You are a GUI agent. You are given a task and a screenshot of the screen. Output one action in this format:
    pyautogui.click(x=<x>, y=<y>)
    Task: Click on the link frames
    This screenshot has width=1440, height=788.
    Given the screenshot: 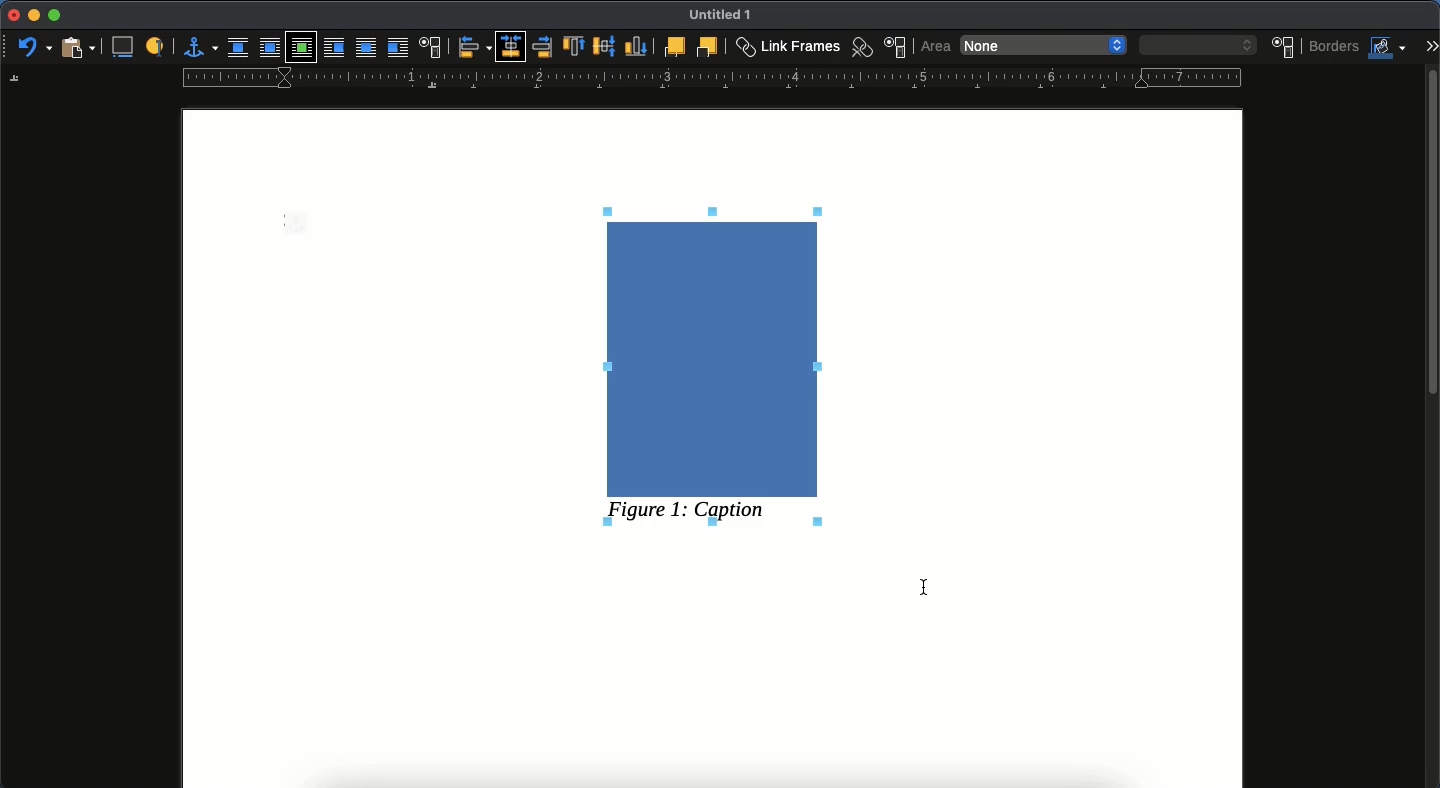 What is the action you would take?
    pyautogui.click(x=787, y=47)
    